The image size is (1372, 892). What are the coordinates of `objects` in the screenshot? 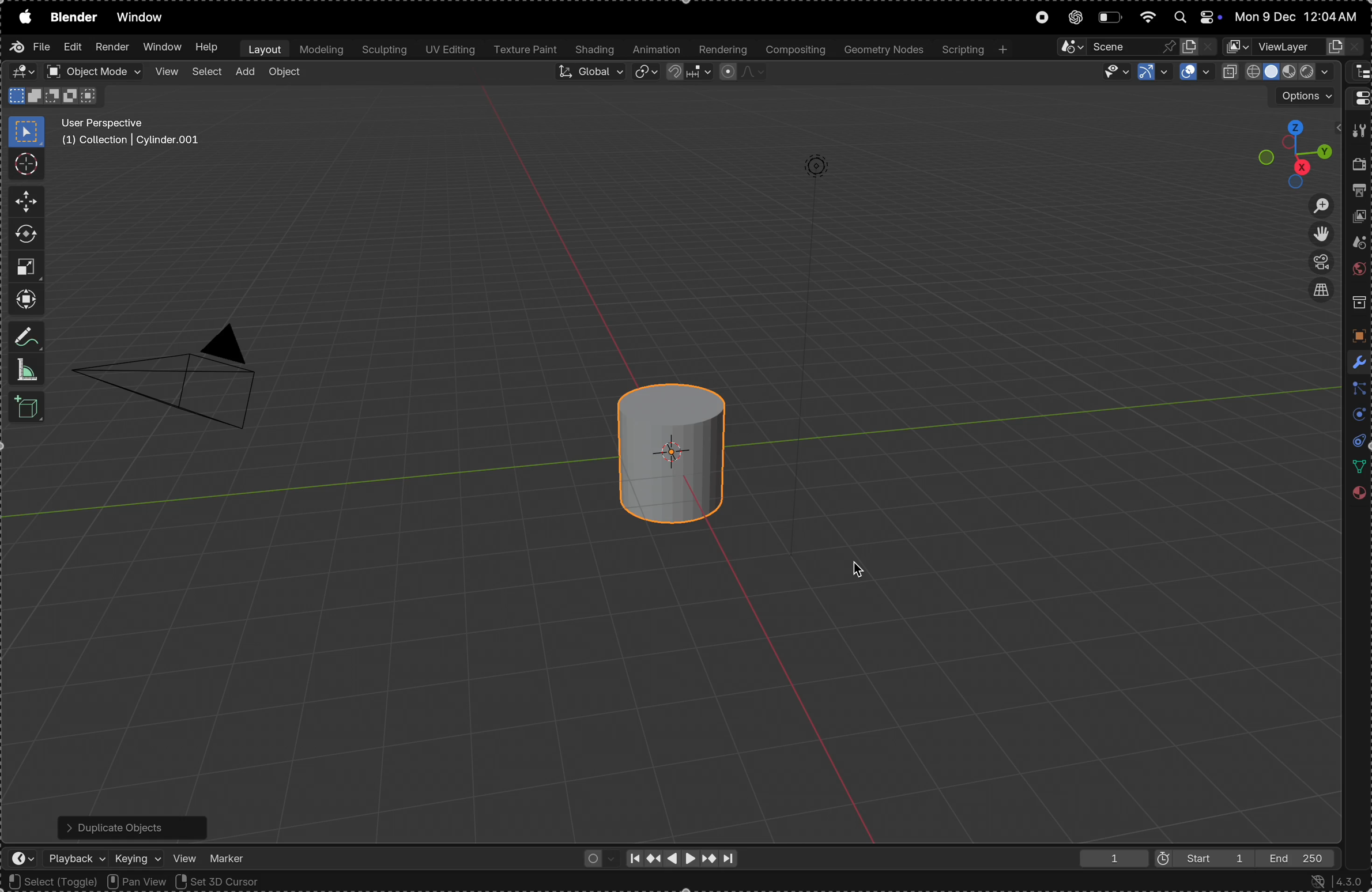 It's located at (1356, 335).